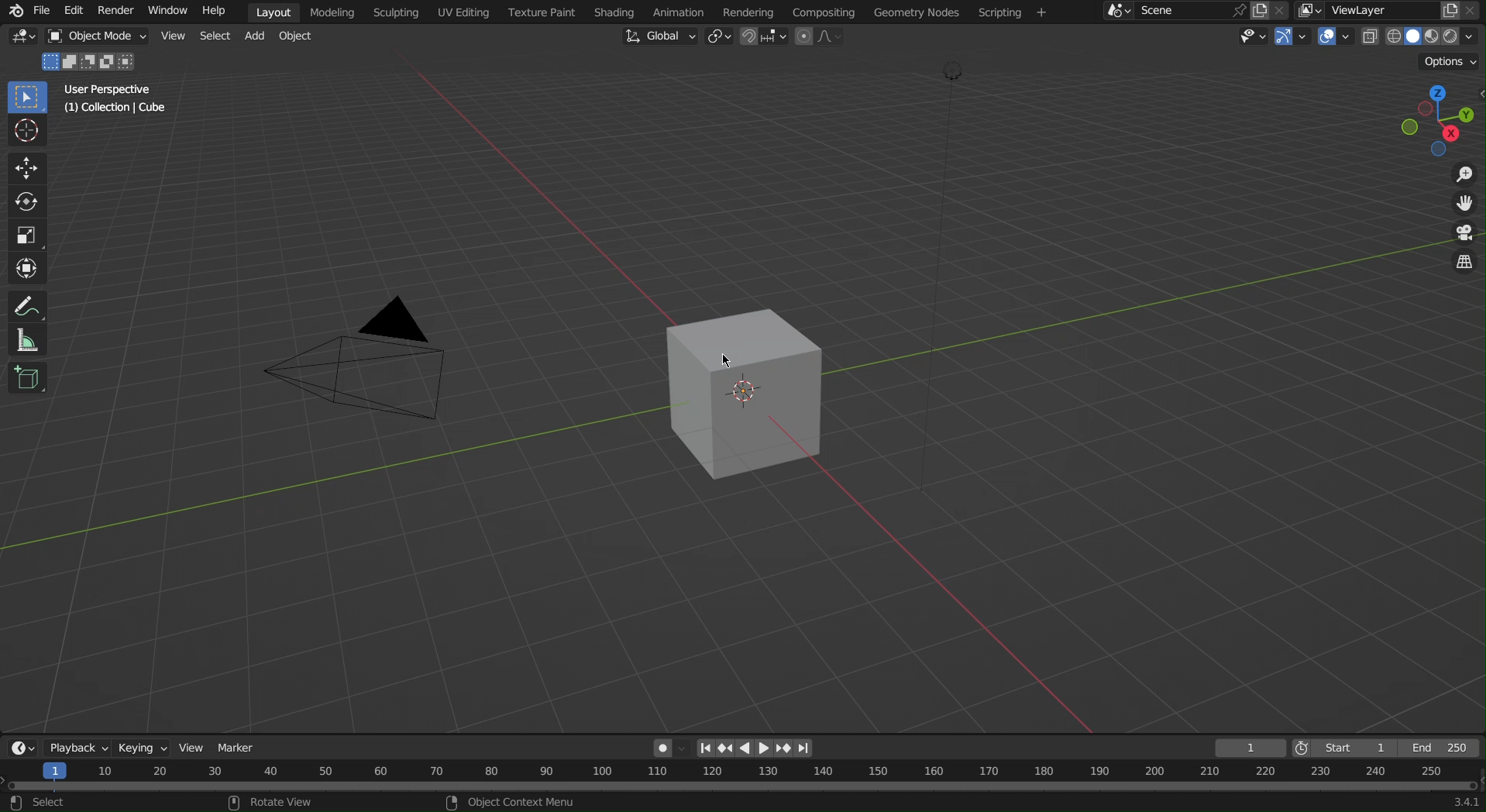 Image resolution: width=1486 pixels, height=812 pixels. Describe the element at coordinates (824, 37) in the screenshot. I see `Proportional Editing` at that location.